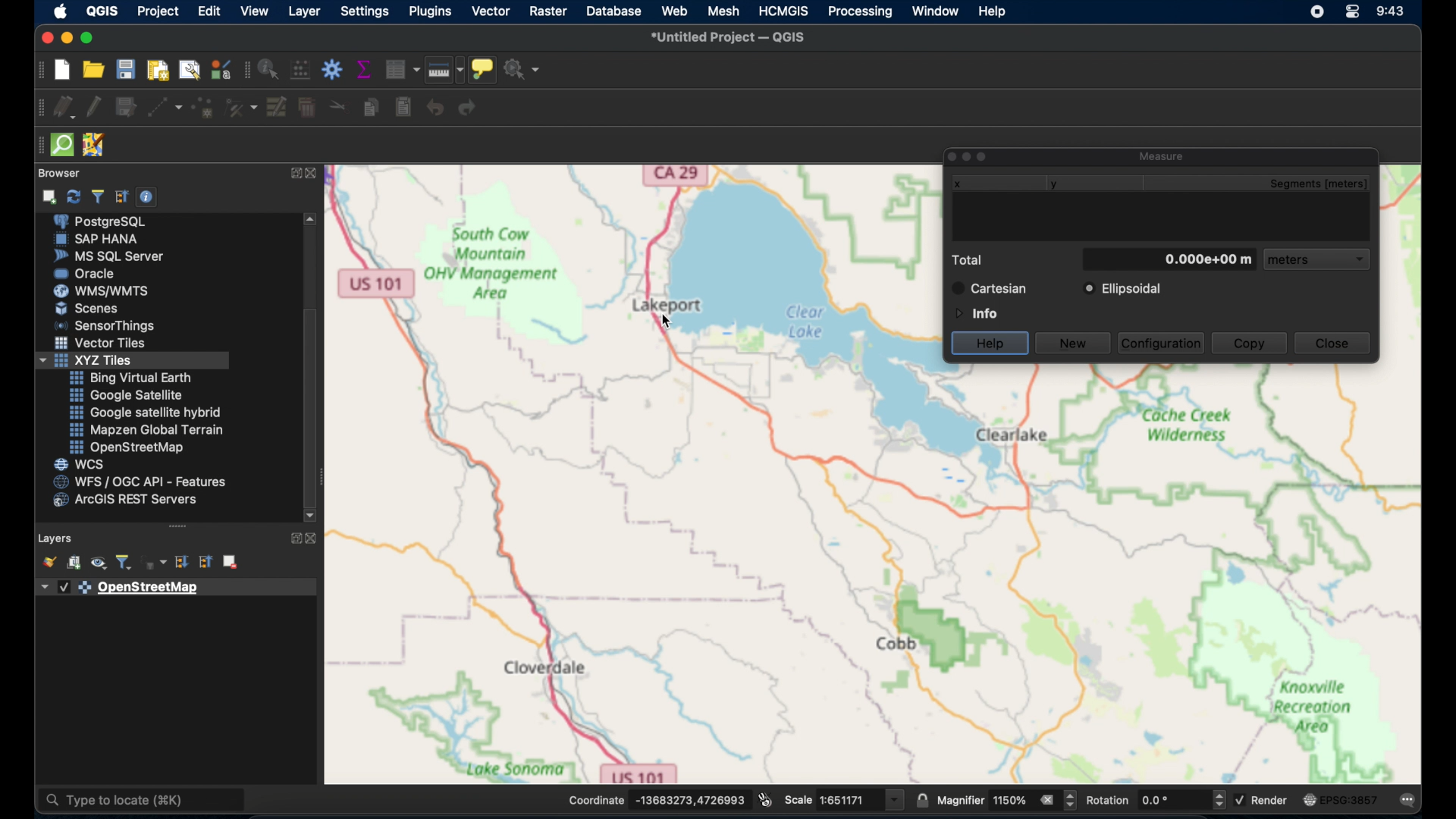 This screenshot has width=1456, height=819. I want to click on minimize , so click(65, 38).